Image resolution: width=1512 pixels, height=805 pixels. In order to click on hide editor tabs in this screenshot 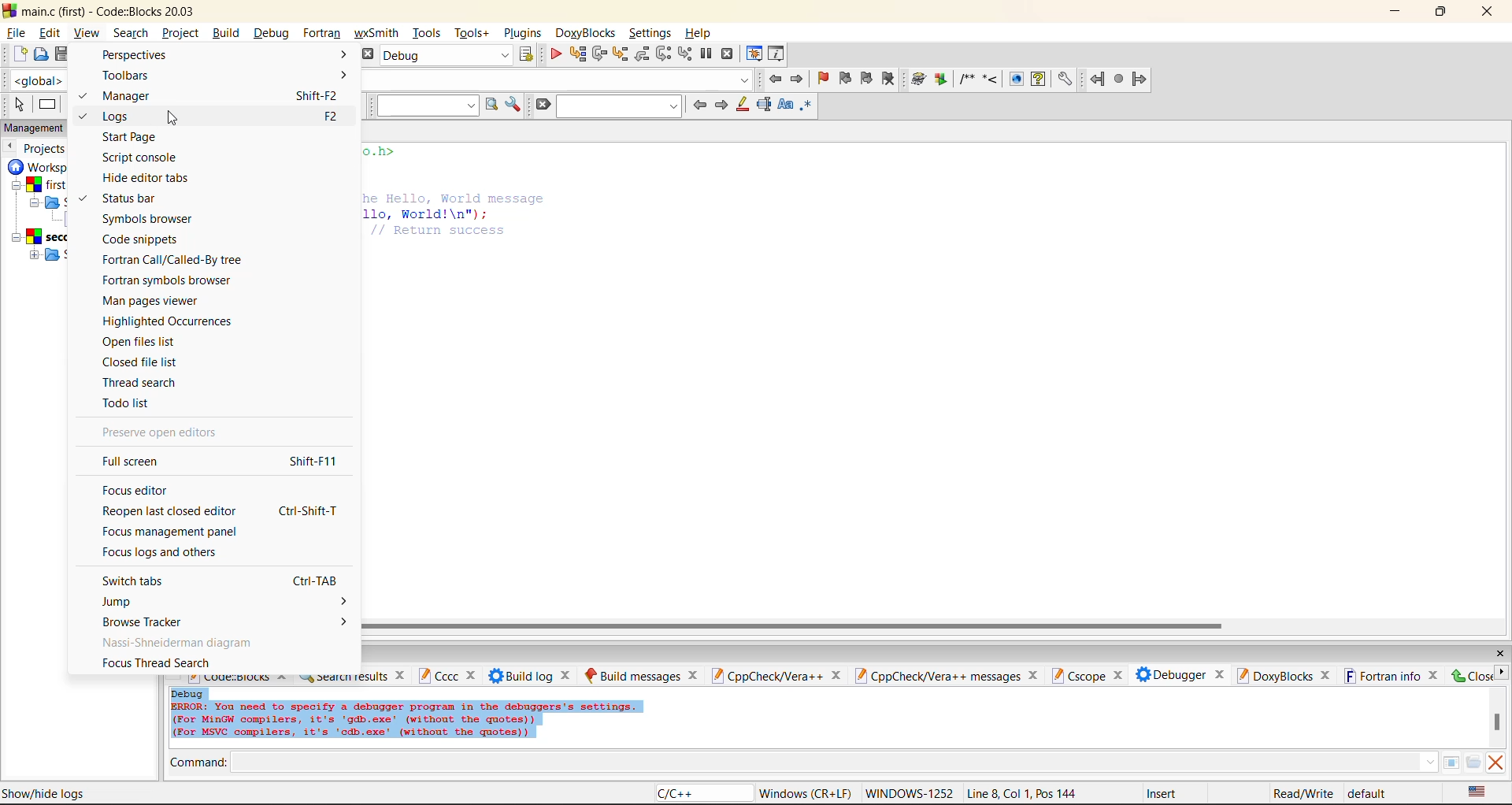, I will do `click(148, 179)`.